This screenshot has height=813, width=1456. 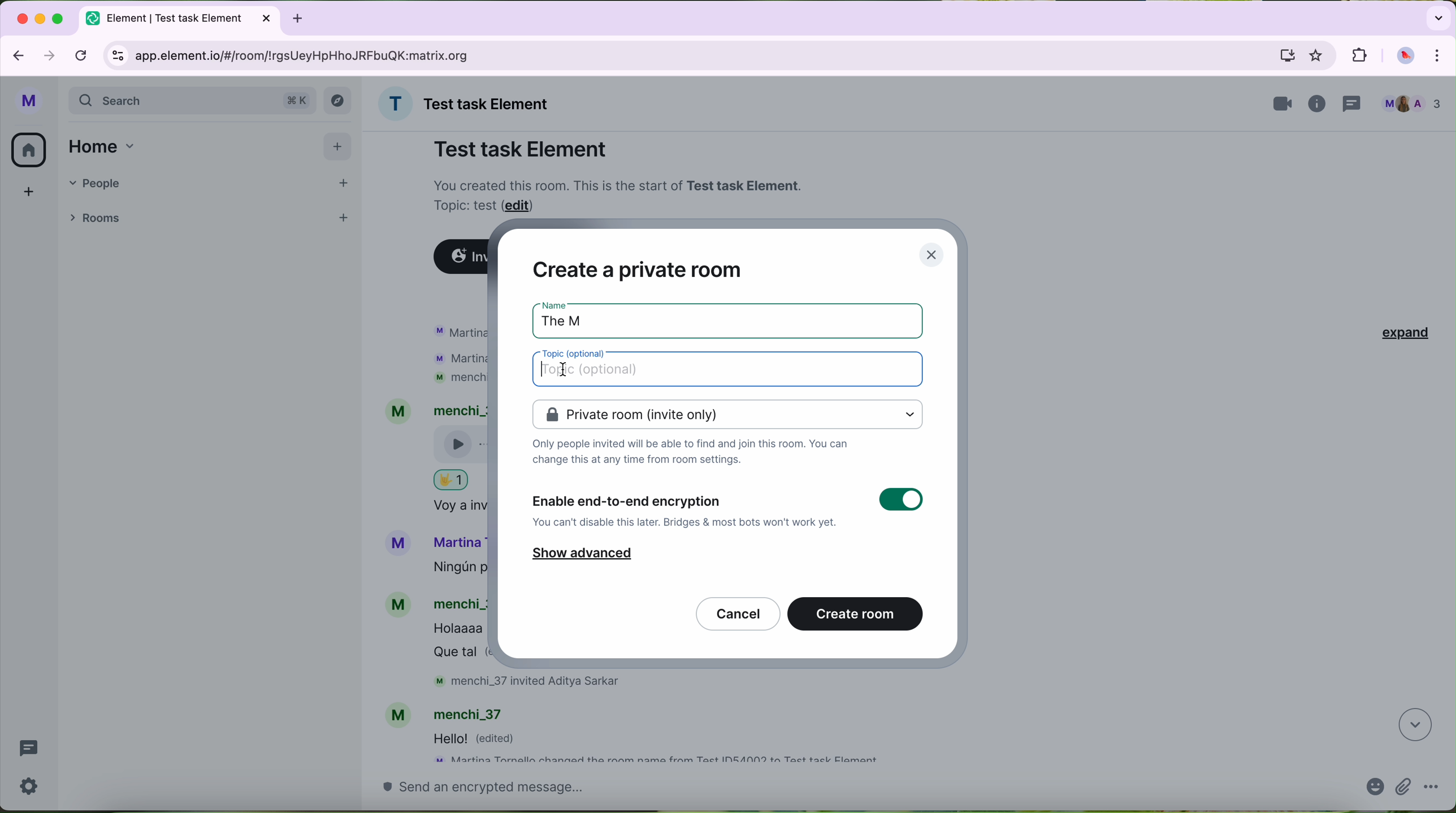 I want to click on note, so click(x=621, y=194).